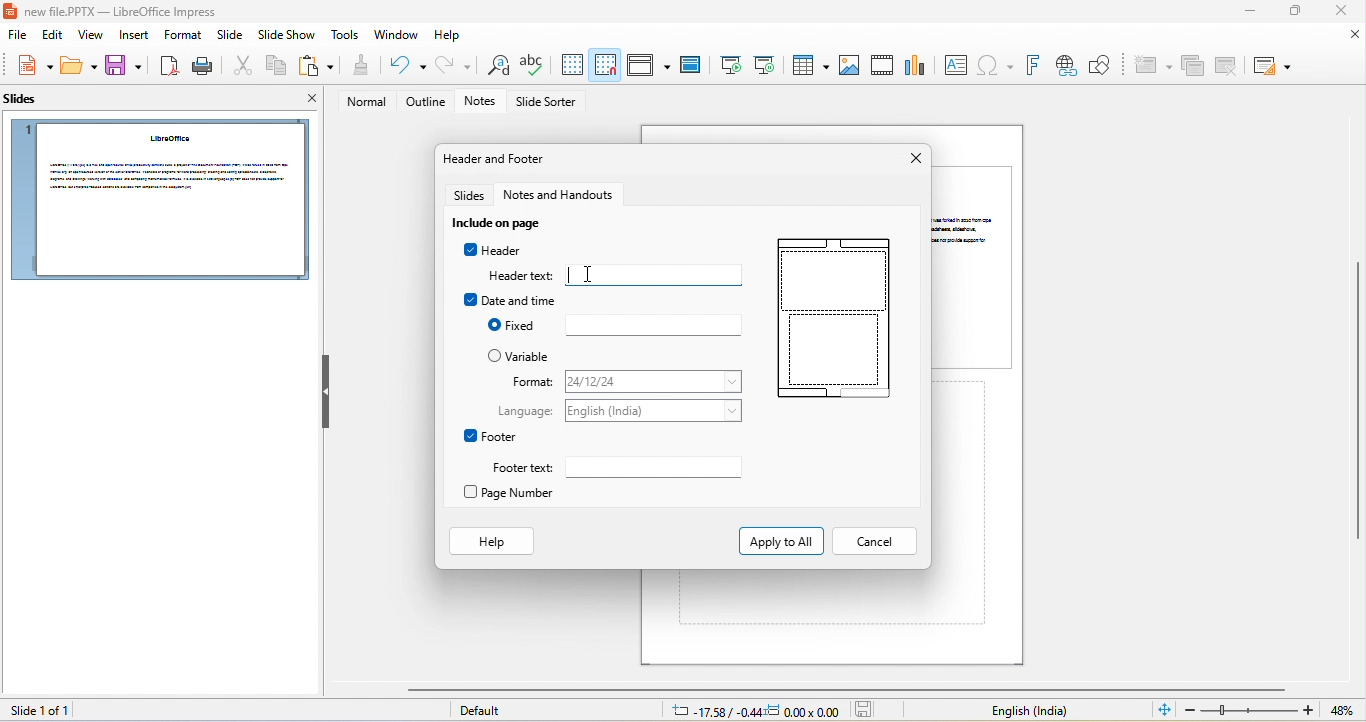 The width and height of the screenshot is (1366, 722). What do you see at coordinates (1293, 12) in the screenshot?
I see `maximize` at bounding box center [1293, 12].